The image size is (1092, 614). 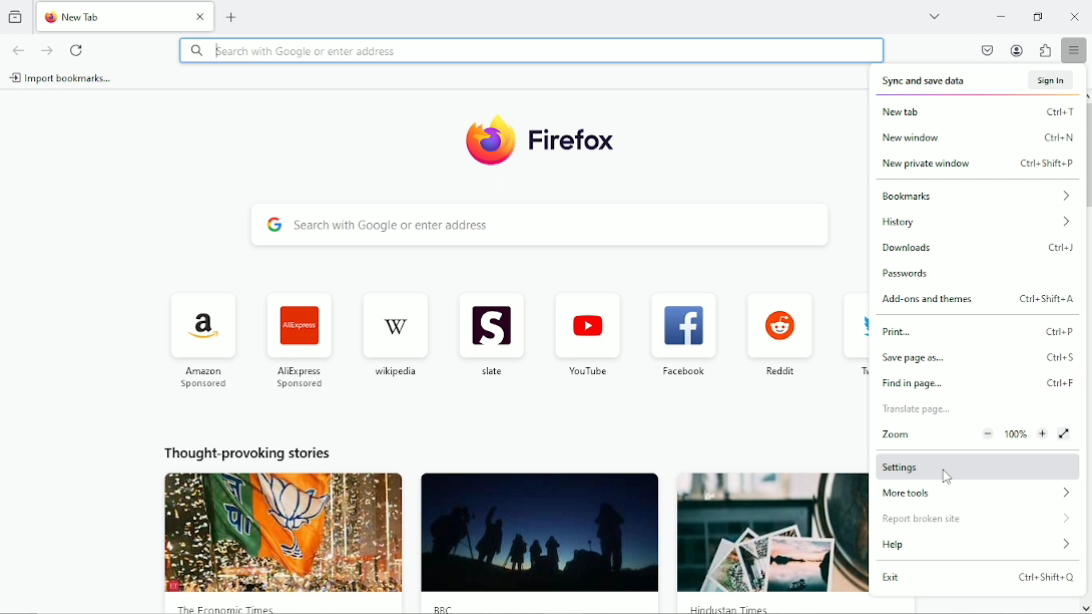 I want to click on new tab, so click(x=233, y=17).